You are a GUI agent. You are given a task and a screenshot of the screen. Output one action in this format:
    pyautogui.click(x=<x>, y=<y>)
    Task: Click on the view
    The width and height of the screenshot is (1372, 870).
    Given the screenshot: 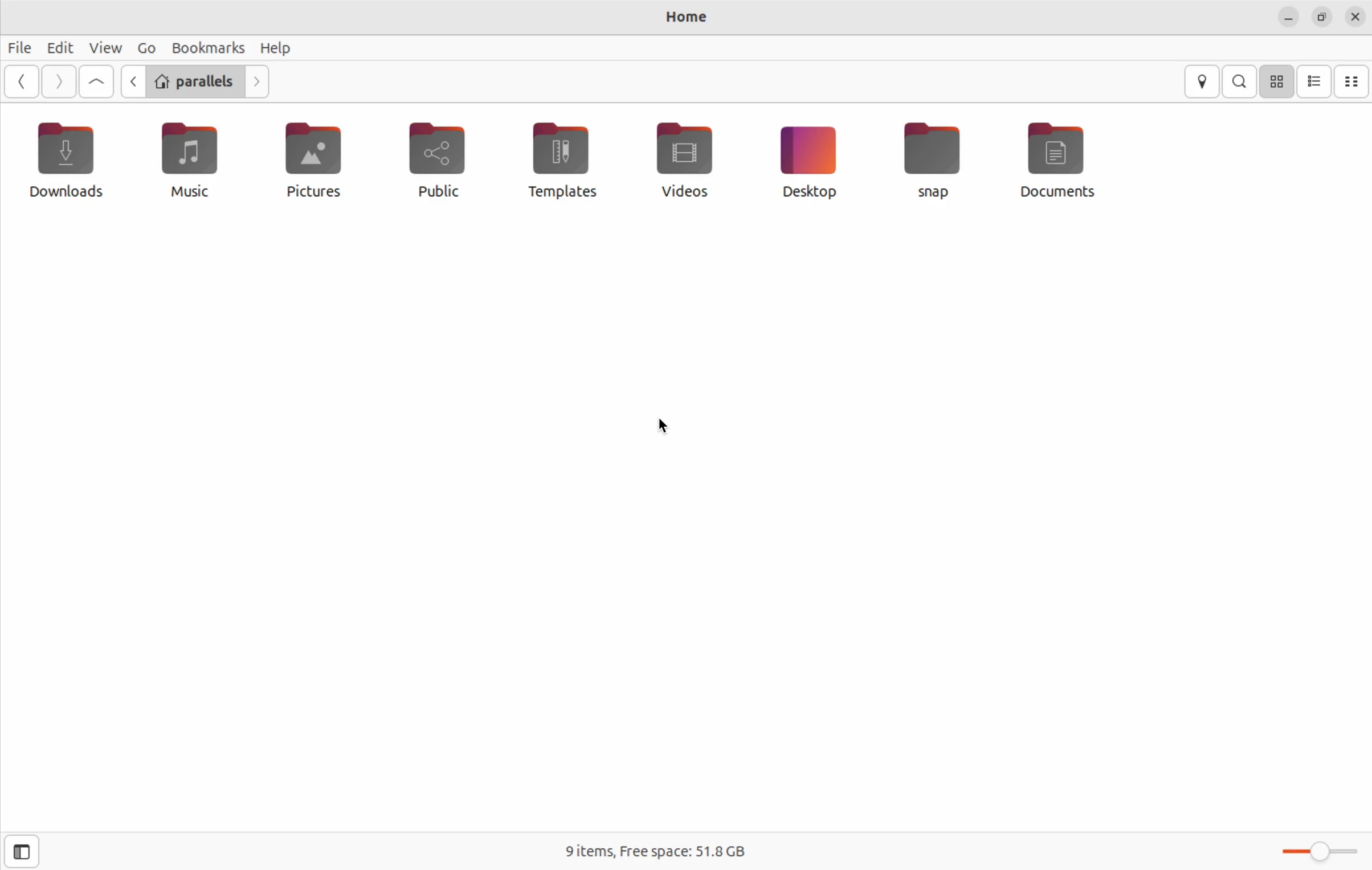 What is the action you would take?
    pyautogui.click(x=106, y=47)
    